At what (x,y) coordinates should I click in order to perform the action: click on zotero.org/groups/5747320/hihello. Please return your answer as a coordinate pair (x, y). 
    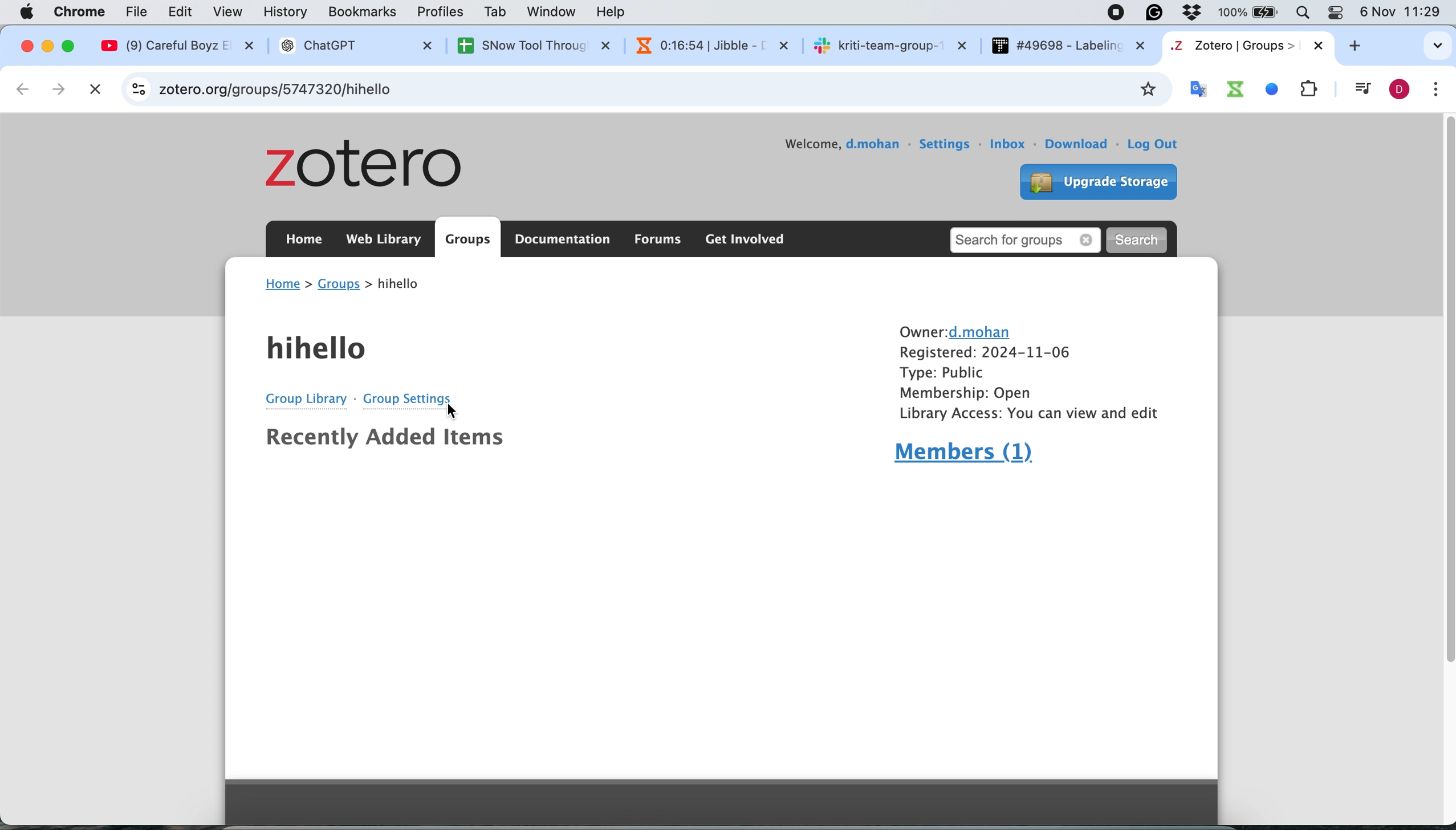
    Looking at the image, I should click on (320, 89).